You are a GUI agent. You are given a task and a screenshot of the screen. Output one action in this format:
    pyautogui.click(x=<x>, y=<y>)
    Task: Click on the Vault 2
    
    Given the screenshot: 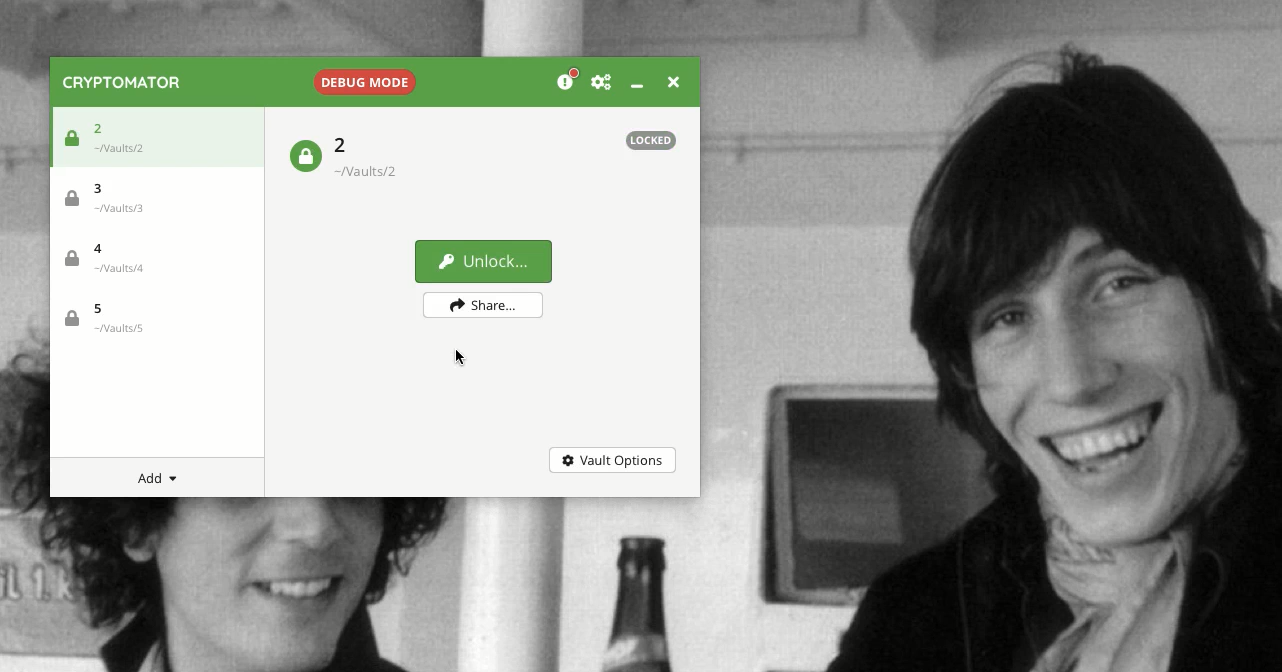 What is the action you would take?
    pyautogui.click(x=375, y=158)
    